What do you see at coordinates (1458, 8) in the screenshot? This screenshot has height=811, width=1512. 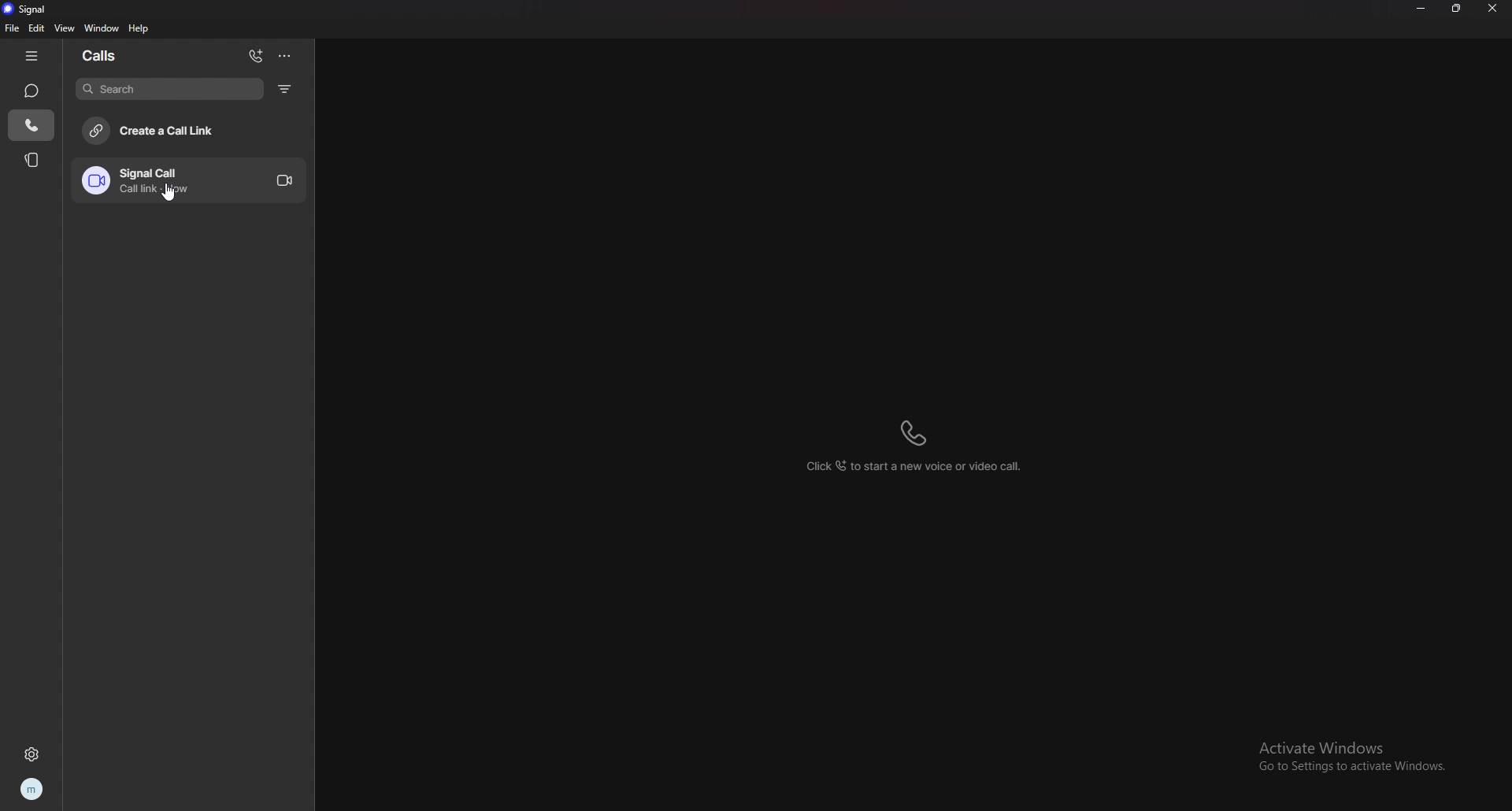 I see `resize` at bounding box center [1458, 8].